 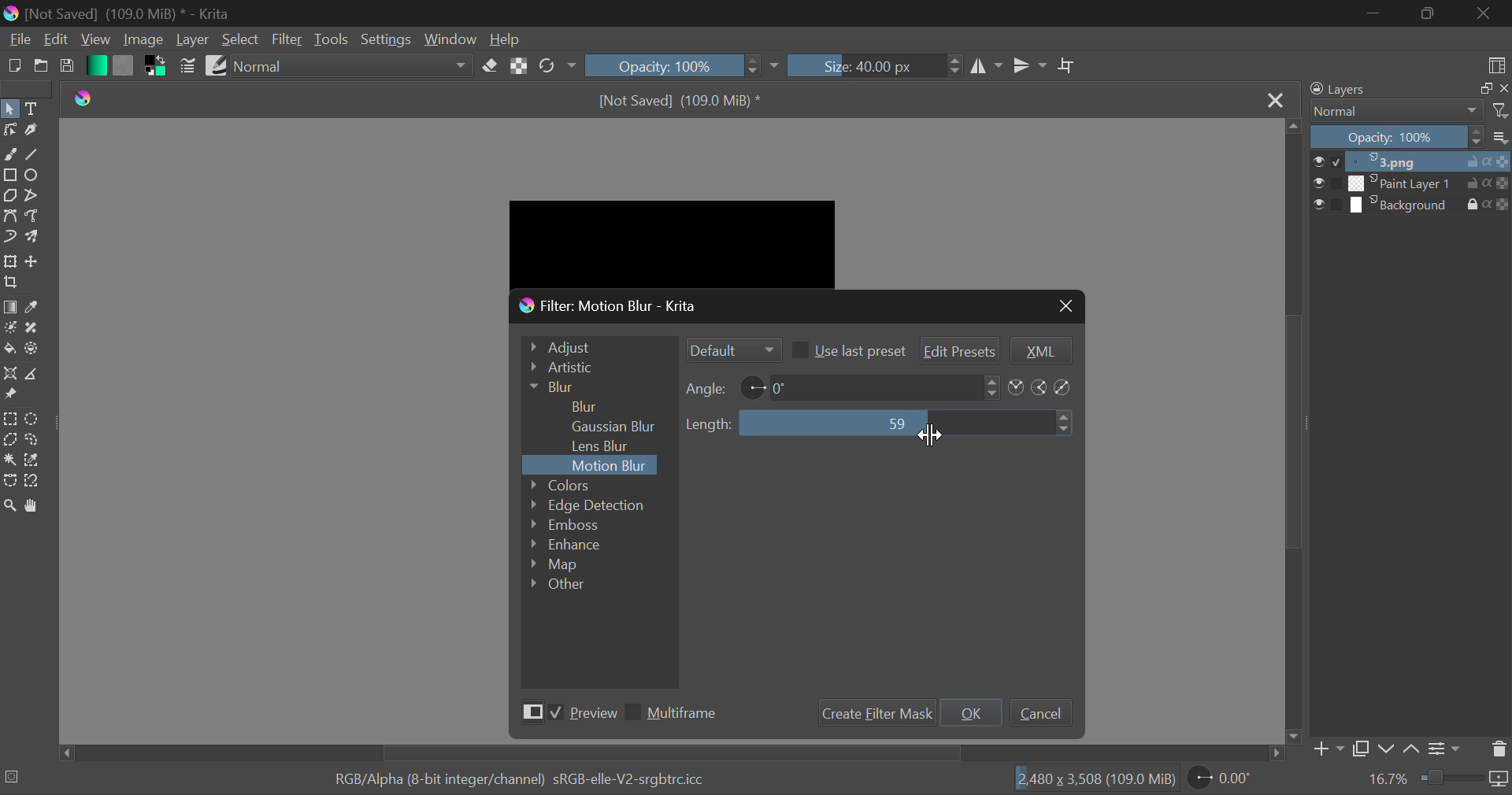 I want to click on Crop, so click(x=1067, y=66).